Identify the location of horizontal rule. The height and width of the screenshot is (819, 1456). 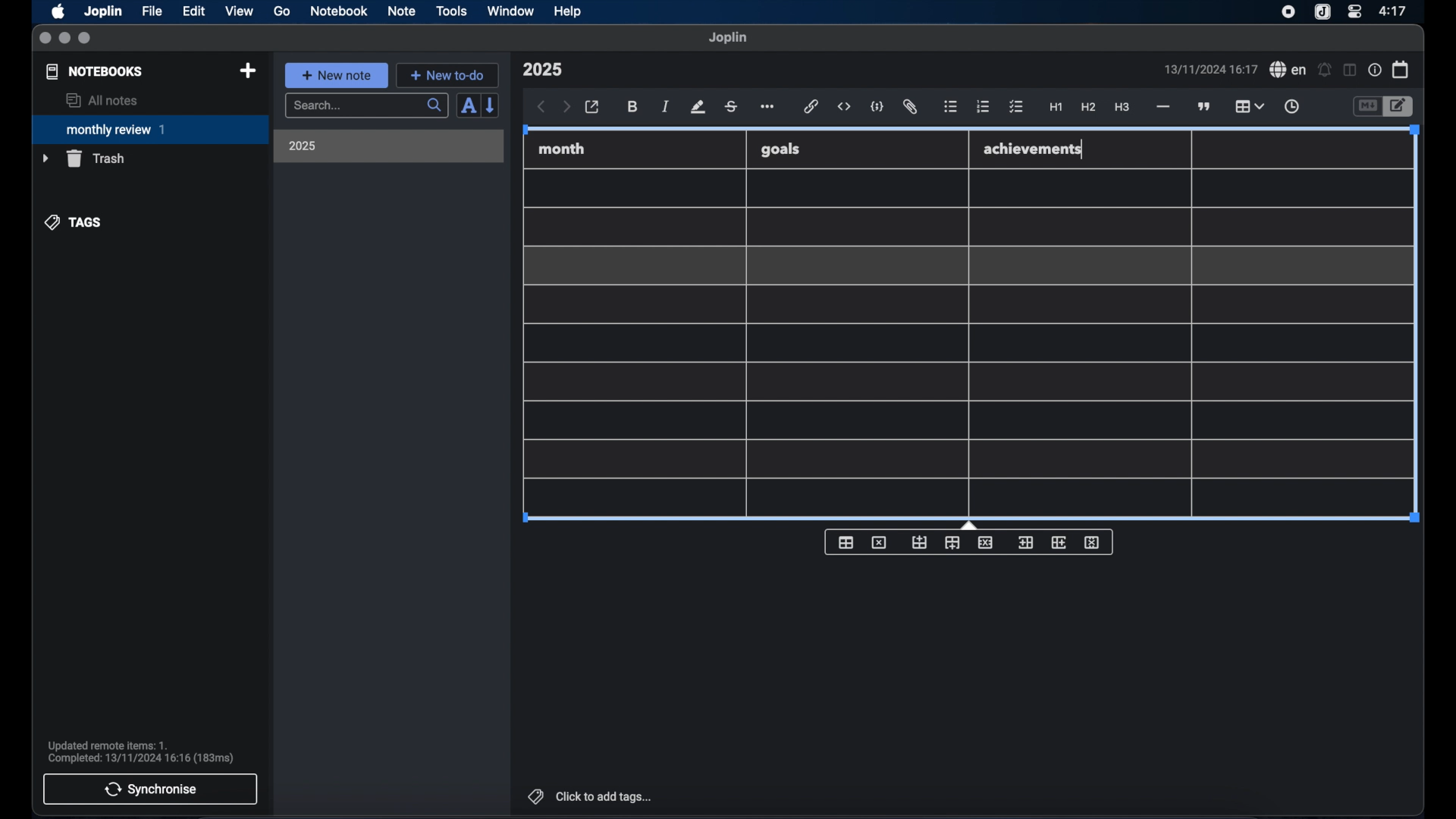
(1162, 107).